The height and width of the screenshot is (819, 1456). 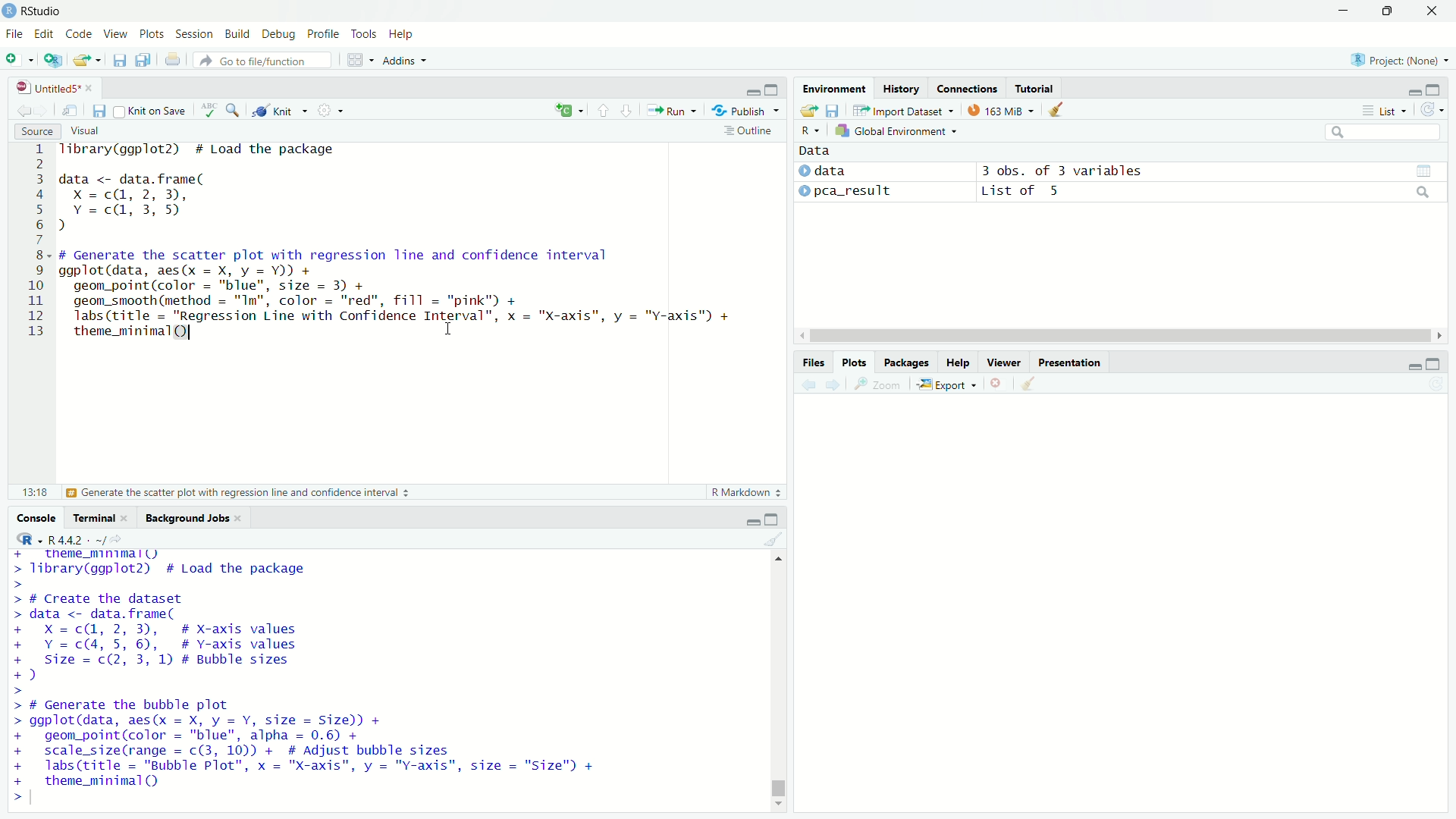 What do you see at coordinates (35, 492) in the screenshot?
I see `13:18` at bounding box center [35, 492].